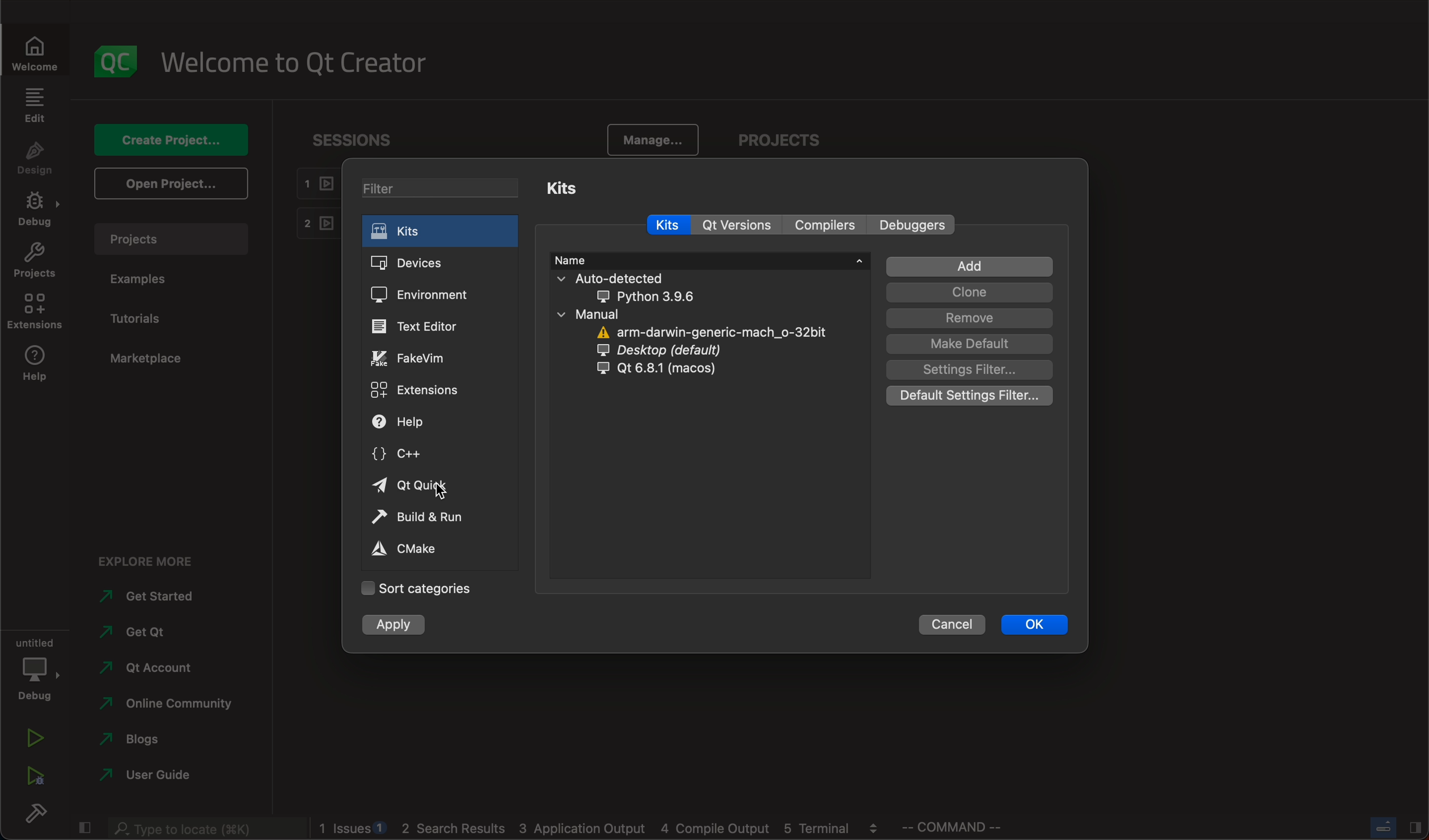  What do you see at coordinates (36, 106) in the screenshot?
I see `edit` at bounding box center [36, 106].